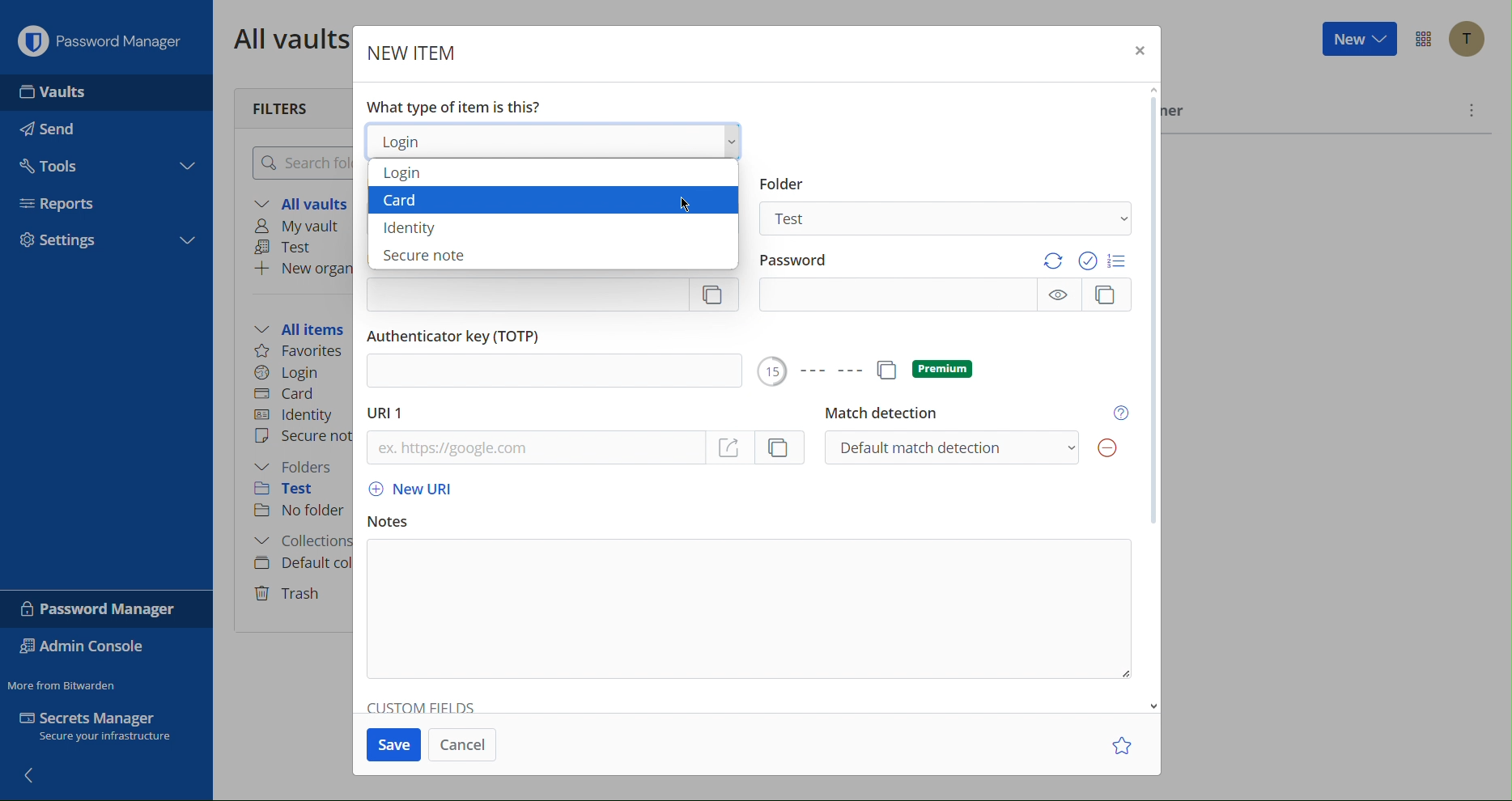  Describe the element at coordinates (298, 439) in the screenshot. I see `Secure note` at that location.